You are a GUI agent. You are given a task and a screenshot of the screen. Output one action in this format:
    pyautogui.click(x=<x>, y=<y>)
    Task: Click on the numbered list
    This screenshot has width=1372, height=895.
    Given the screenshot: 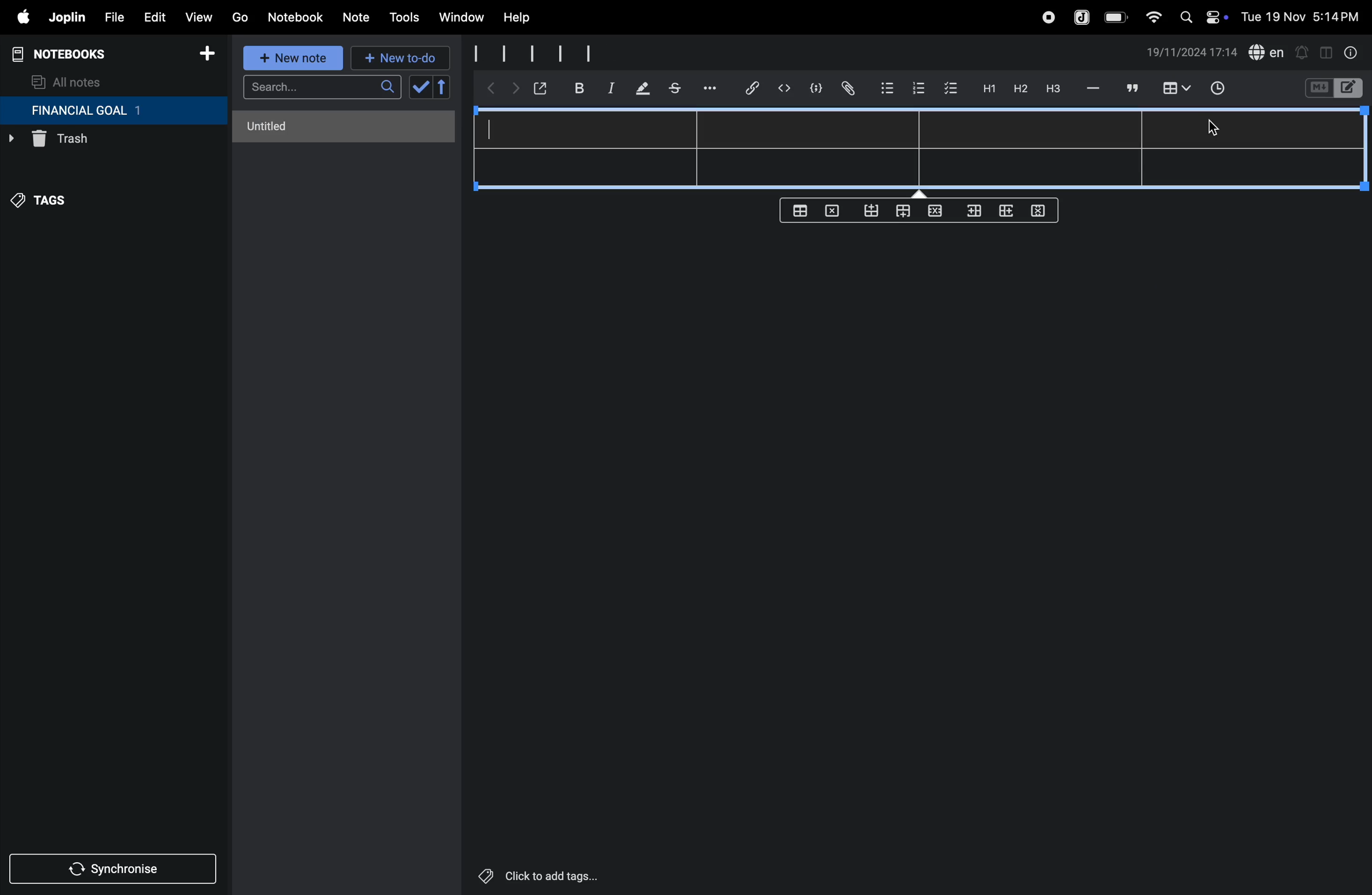 What is the action you would take?
    pyautogui.click(x=918, y=88)
    